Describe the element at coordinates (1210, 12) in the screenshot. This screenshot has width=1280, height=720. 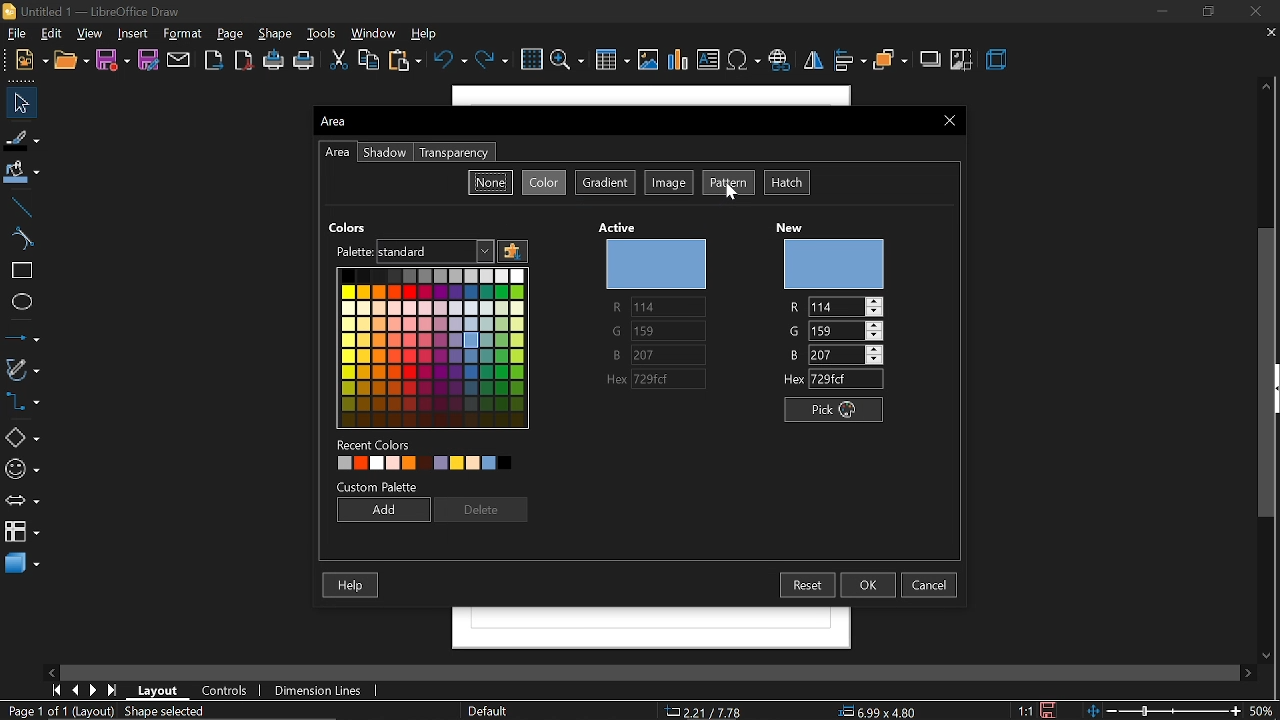
I see `restore down` at that location.